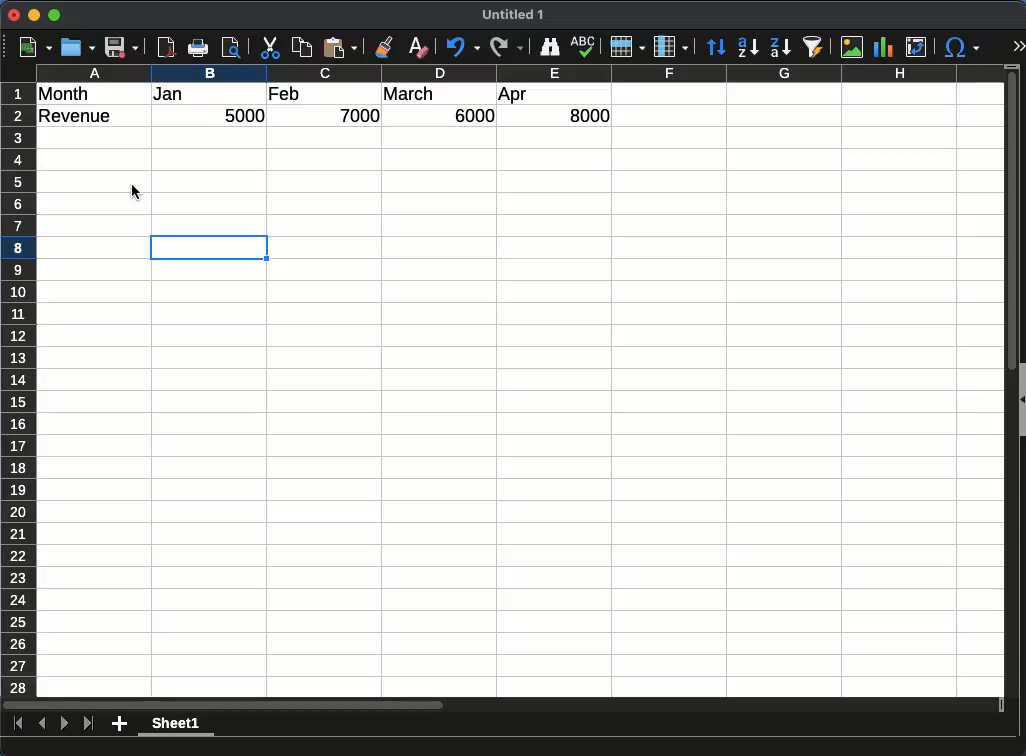  I want to click on cut, so click(270, 47).